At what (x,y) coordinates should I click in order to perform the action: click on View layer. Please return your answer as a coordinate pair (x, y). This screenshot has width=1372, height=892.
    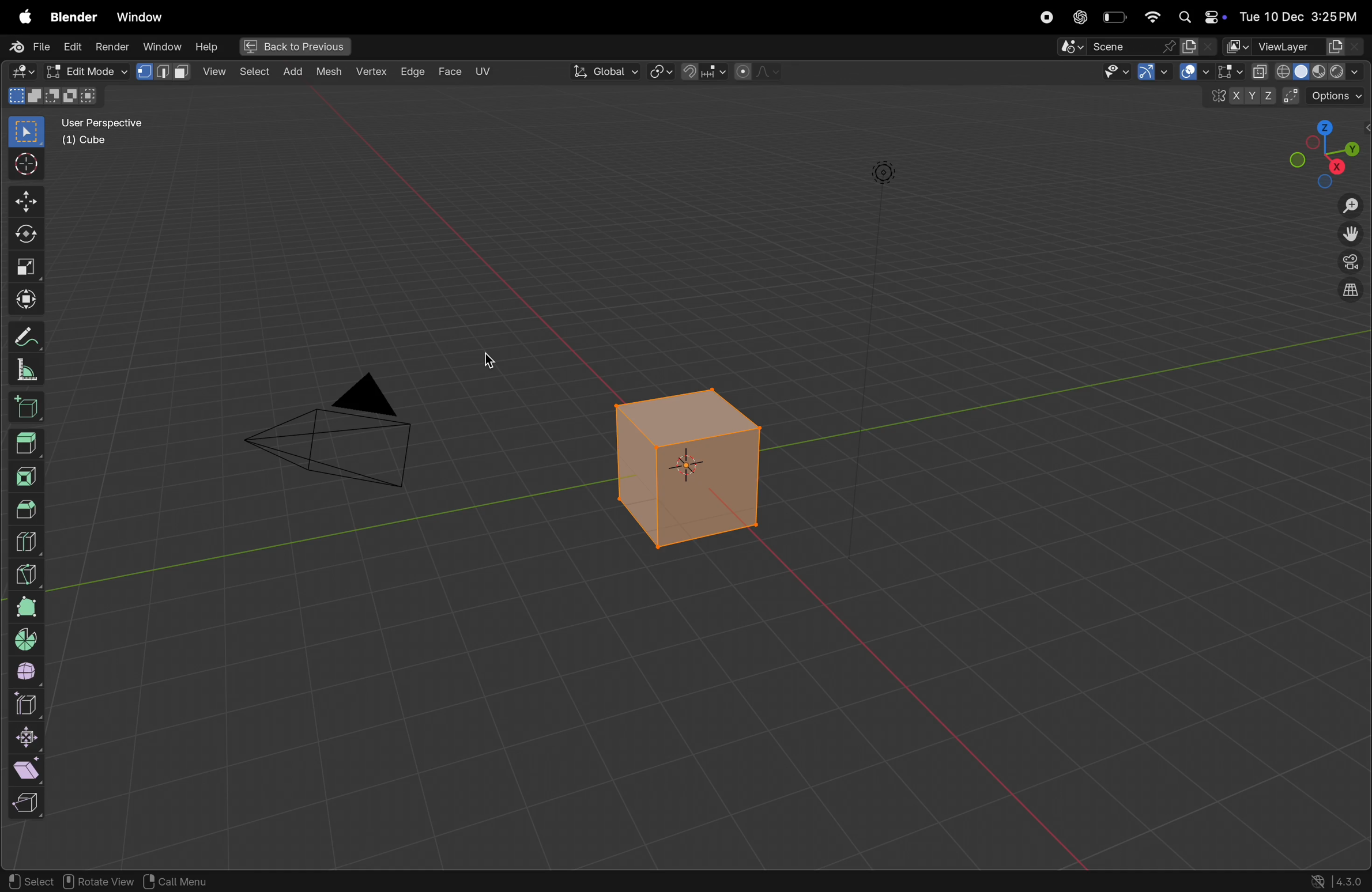
    Looking at the image, I should click on (1294, 46).